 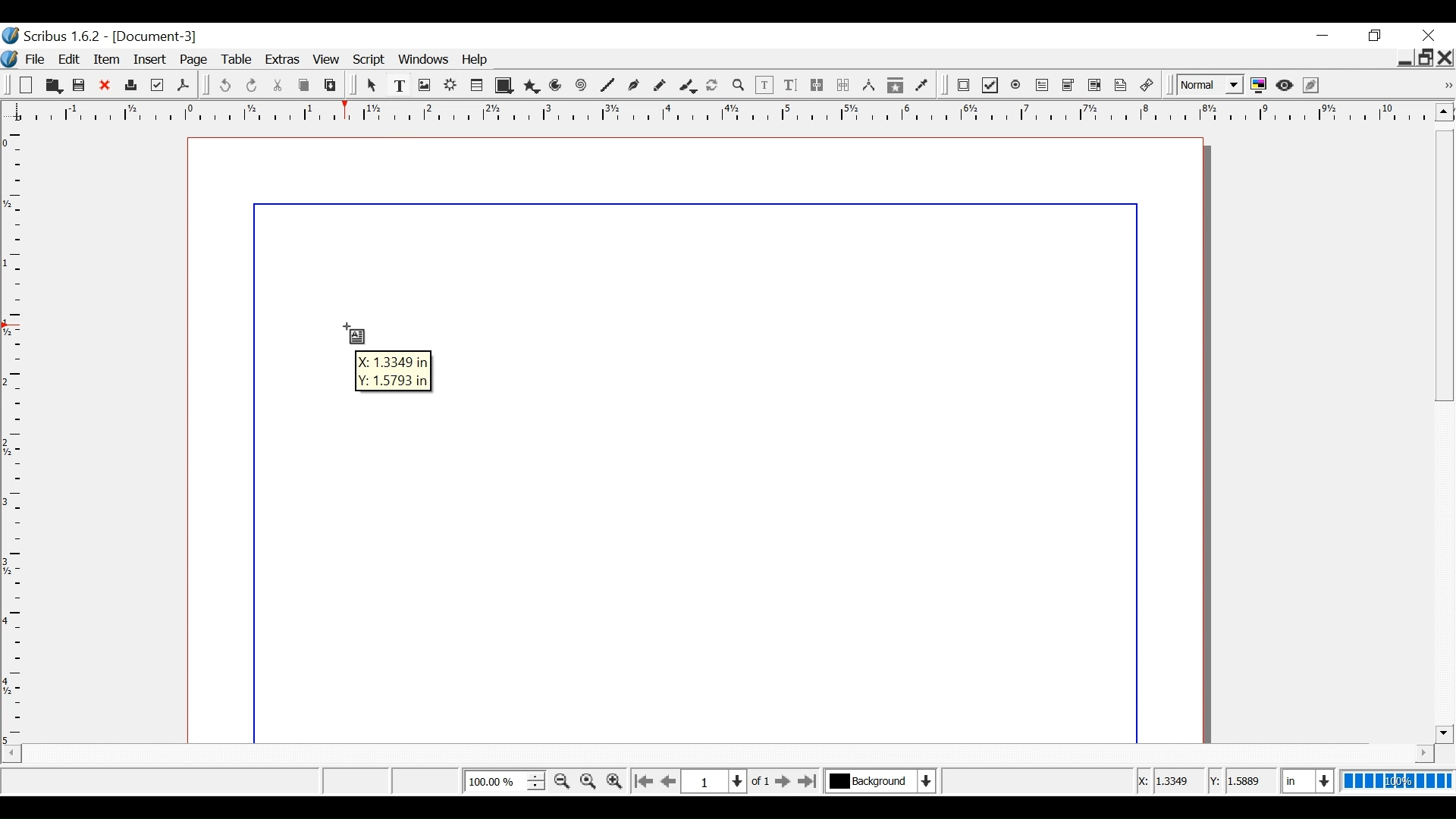 What do you see at coordinates (1168, 780) in the screenshot?
I see `X Coordinates` at bounding box center [1168, 780].